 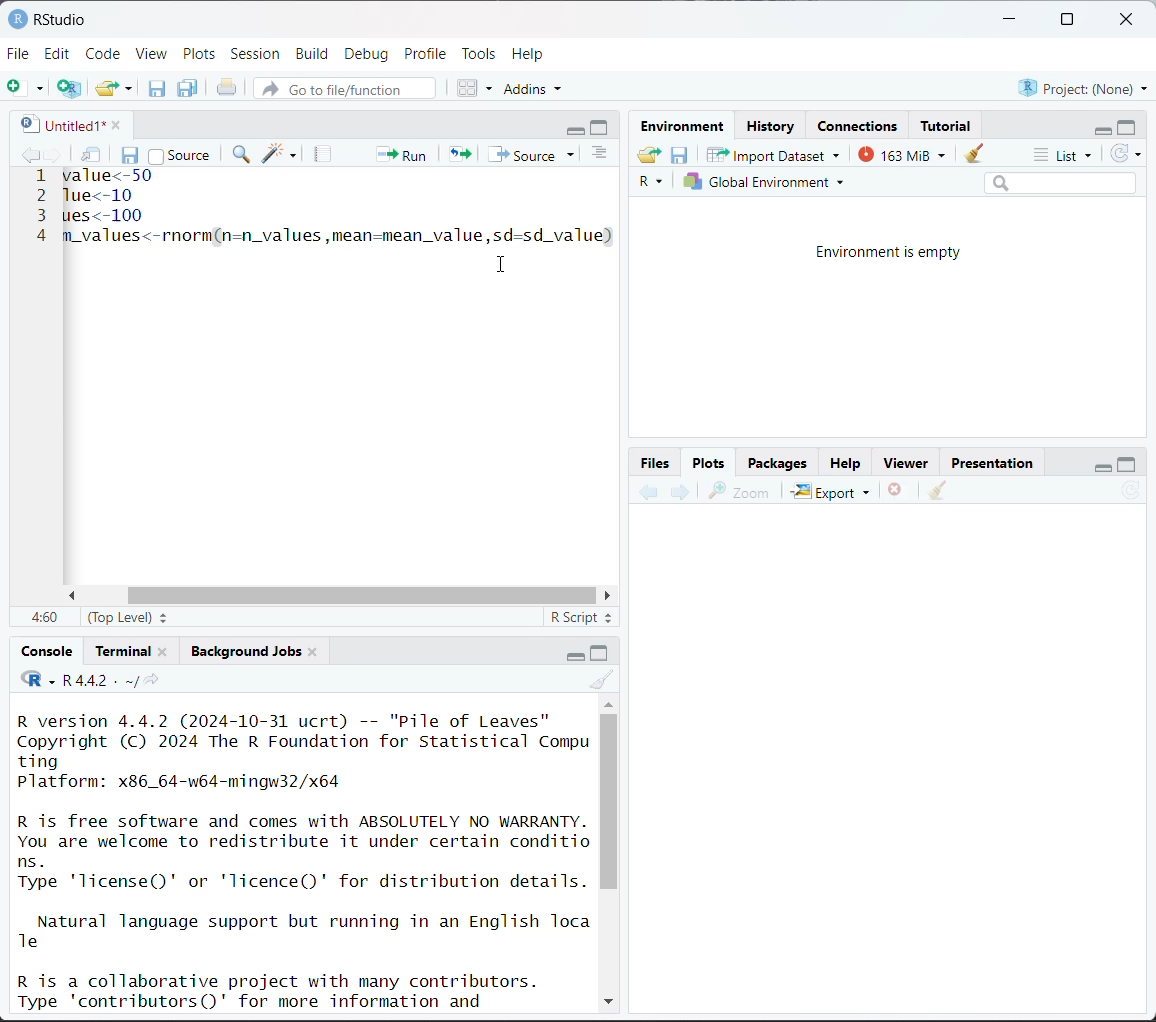 I want to click on Project:(None), so click(x=1082, y=86).